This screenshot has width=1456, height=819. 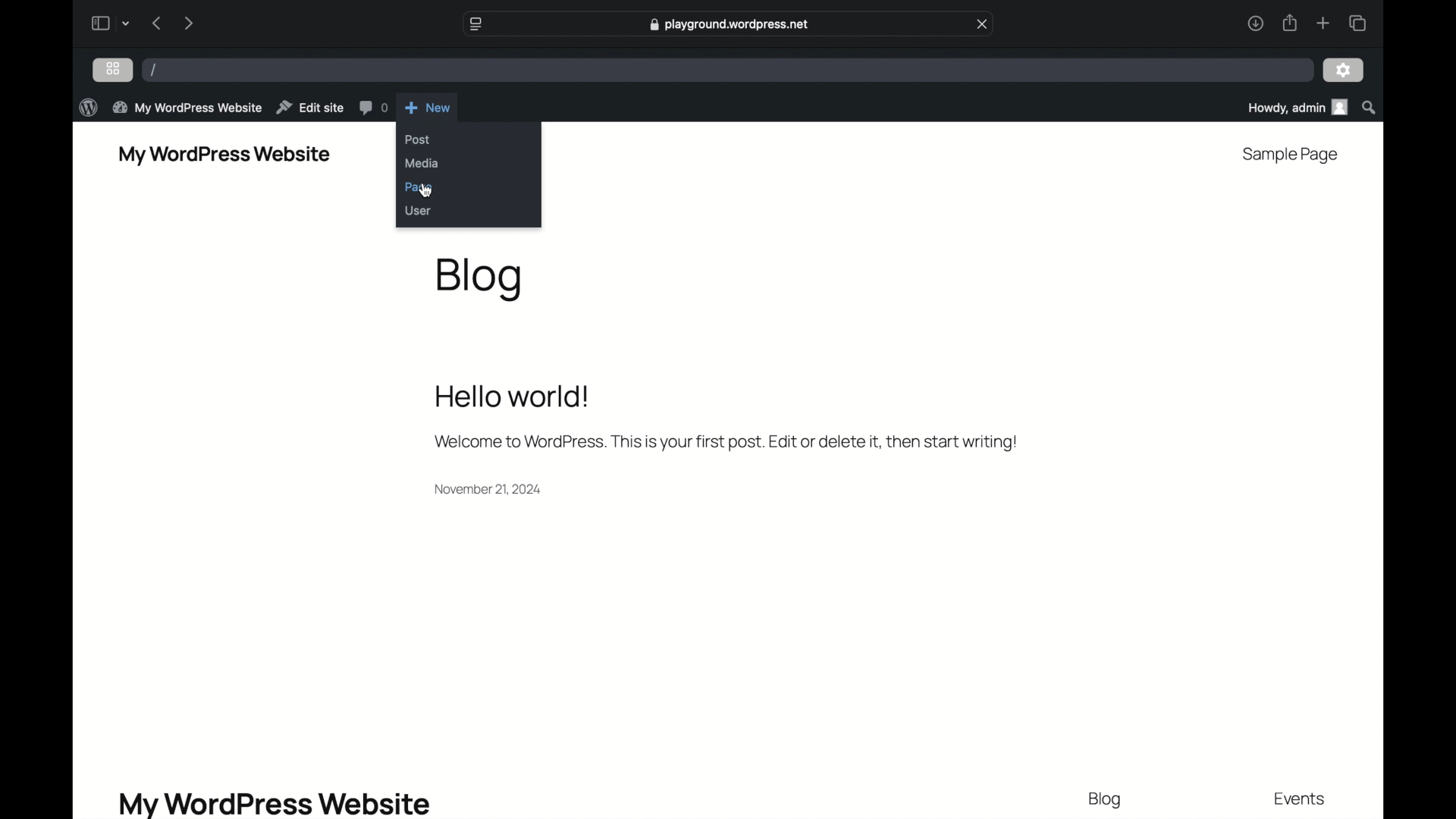 I want to click on previous page, so click(x=158, y=23).